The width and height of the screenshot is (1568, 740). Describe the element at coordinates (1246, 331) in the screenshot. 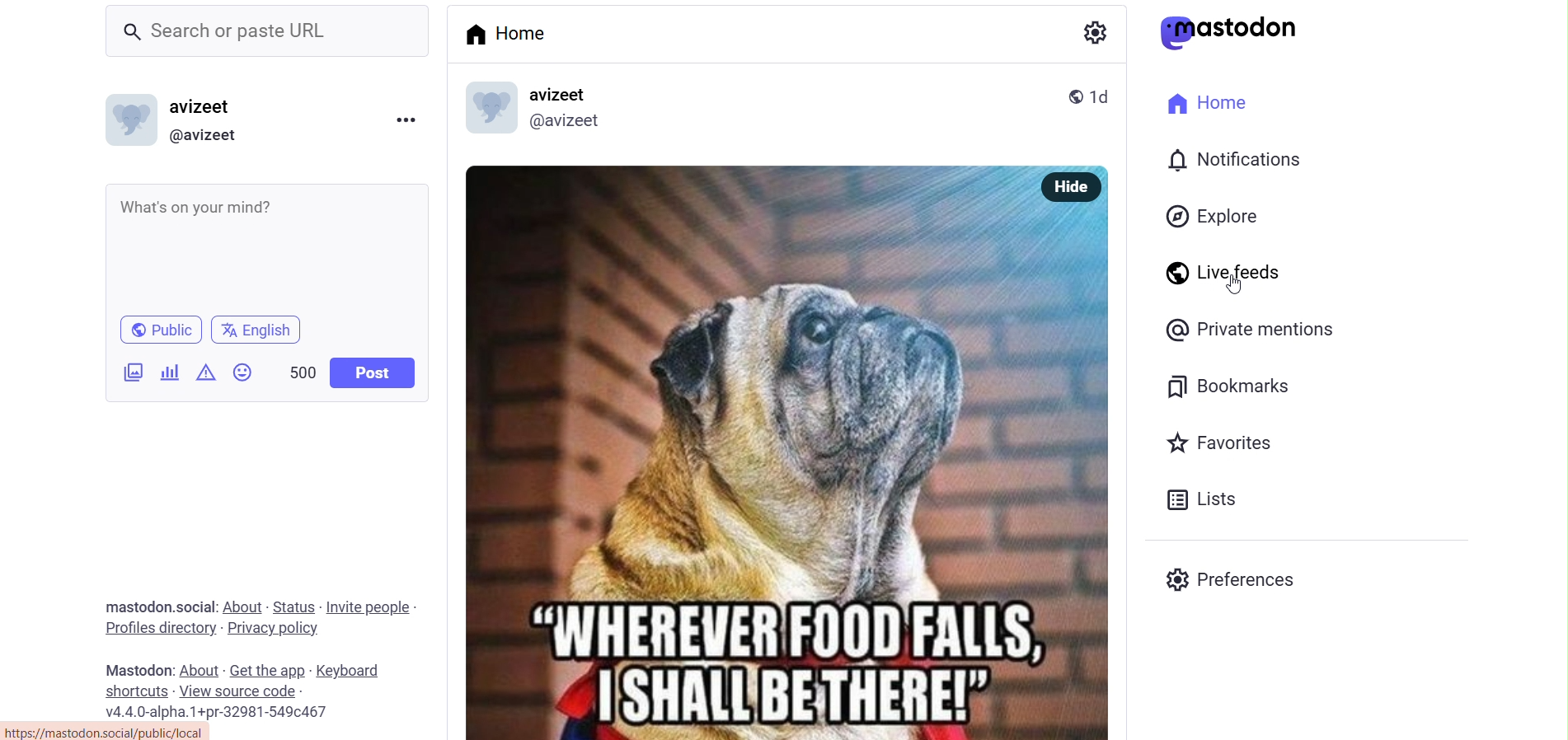

I see `private mention` at that location.